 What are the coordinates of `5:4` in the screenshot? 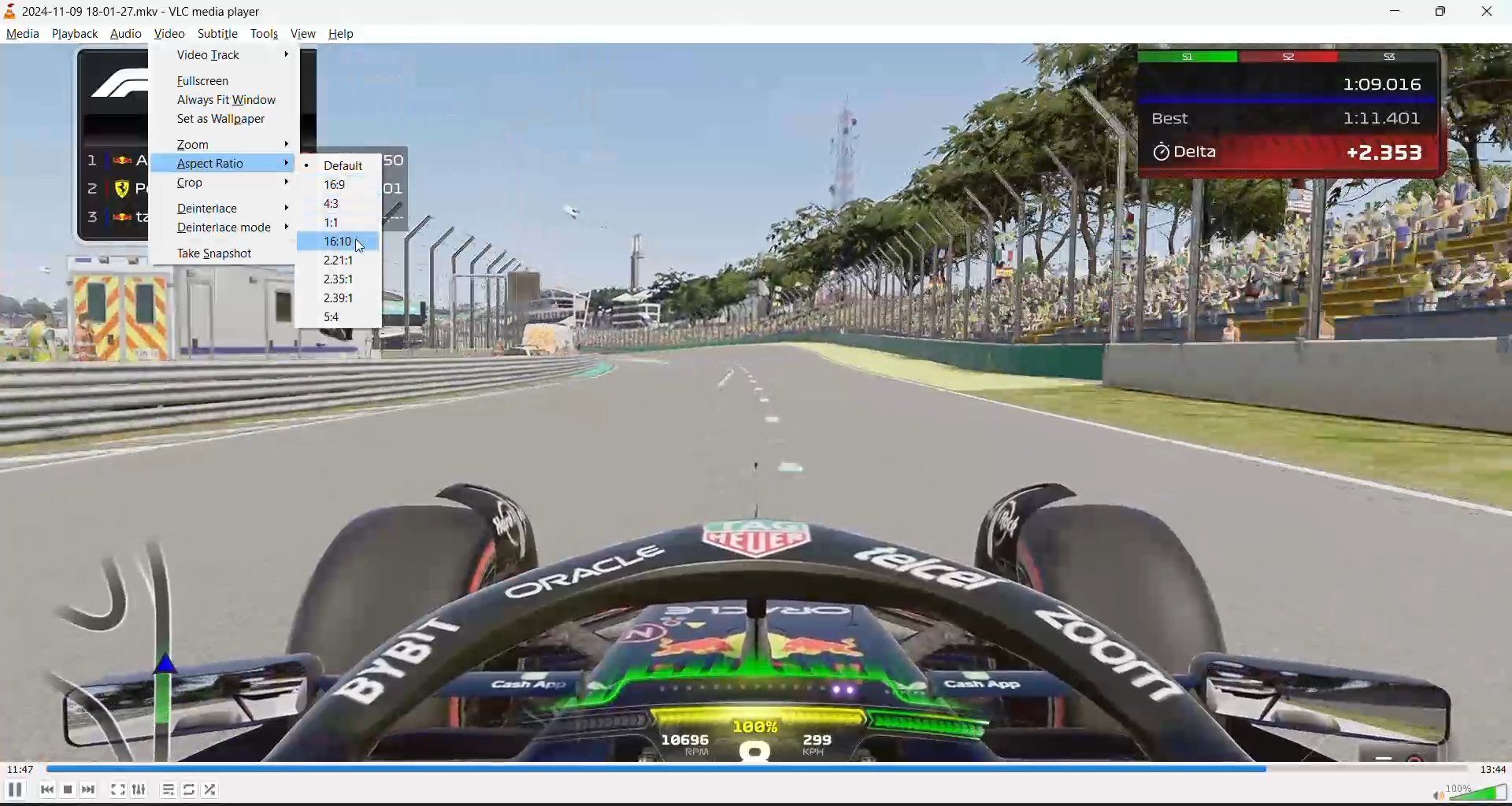 It's located at (335, 315).